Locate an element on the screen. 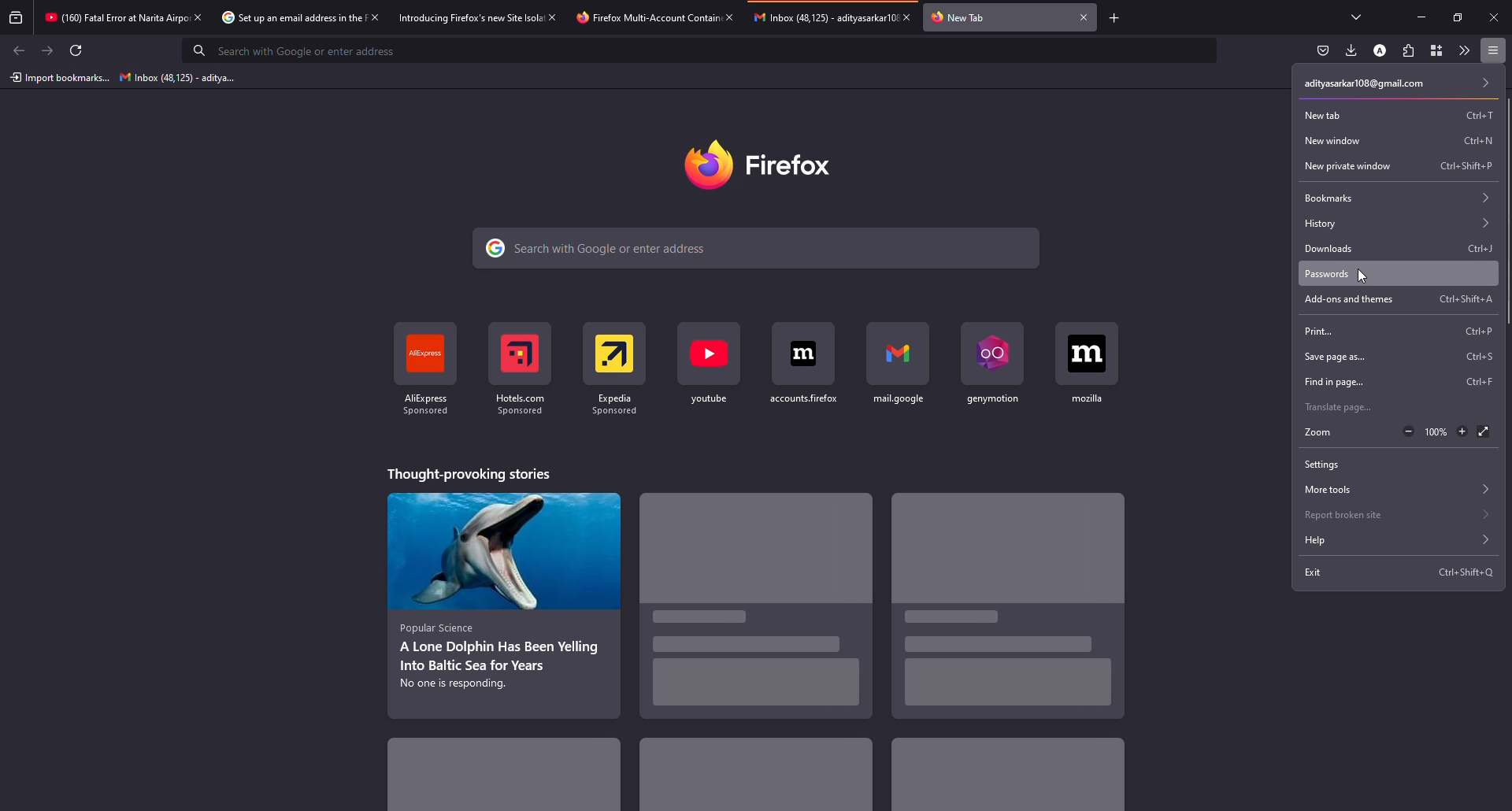 The image size is (1512, 811). translate is located at coordinates (1340, 406).